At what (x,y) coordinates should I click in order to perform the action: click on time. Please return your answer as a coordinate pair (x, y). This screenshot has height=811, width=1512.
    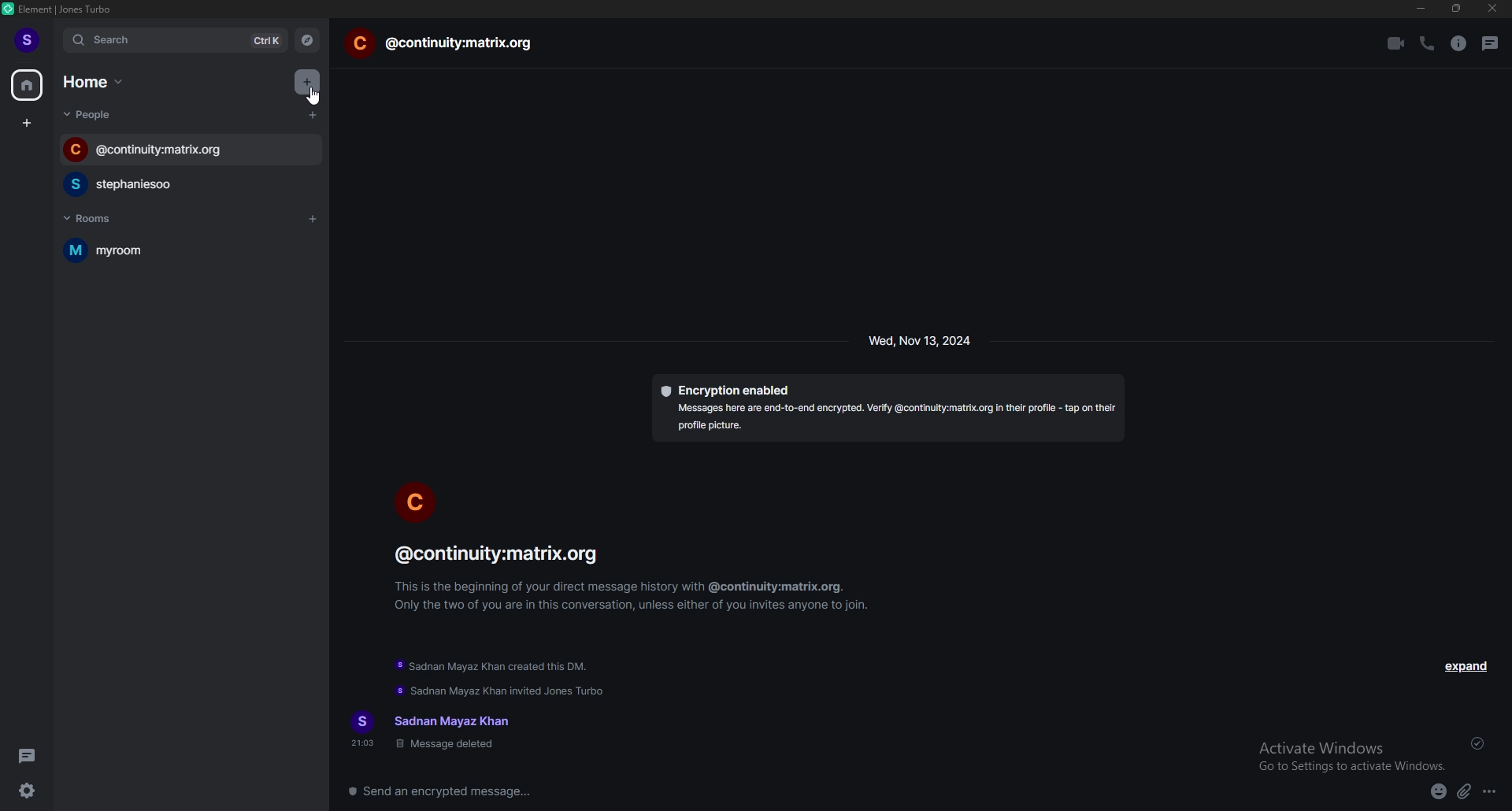
    Looking at the image, I should click on (921, 340).